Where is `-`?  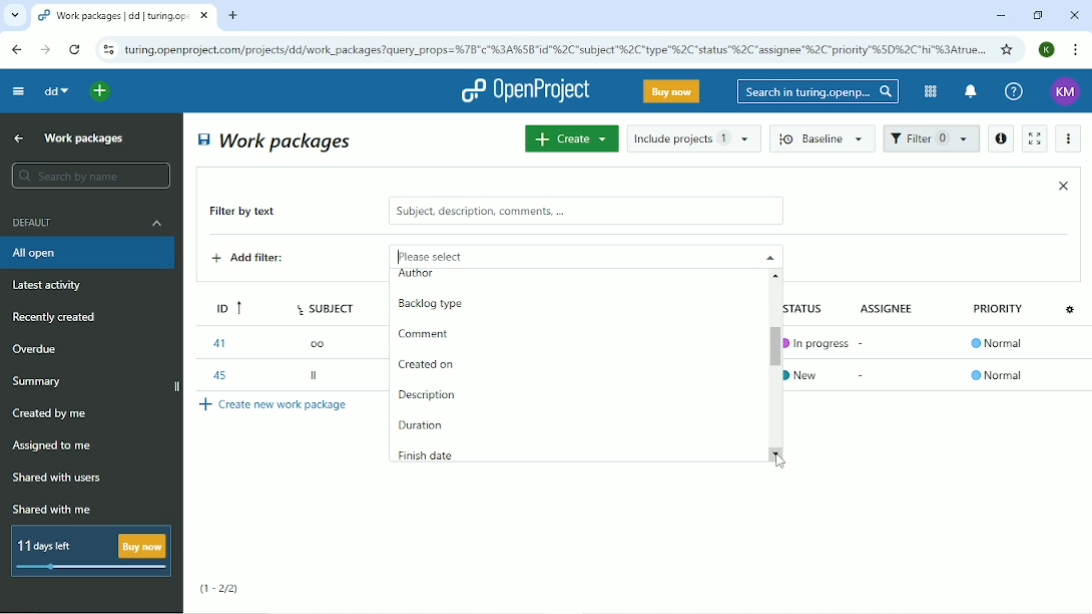
- is located at coordinates (864, 340).